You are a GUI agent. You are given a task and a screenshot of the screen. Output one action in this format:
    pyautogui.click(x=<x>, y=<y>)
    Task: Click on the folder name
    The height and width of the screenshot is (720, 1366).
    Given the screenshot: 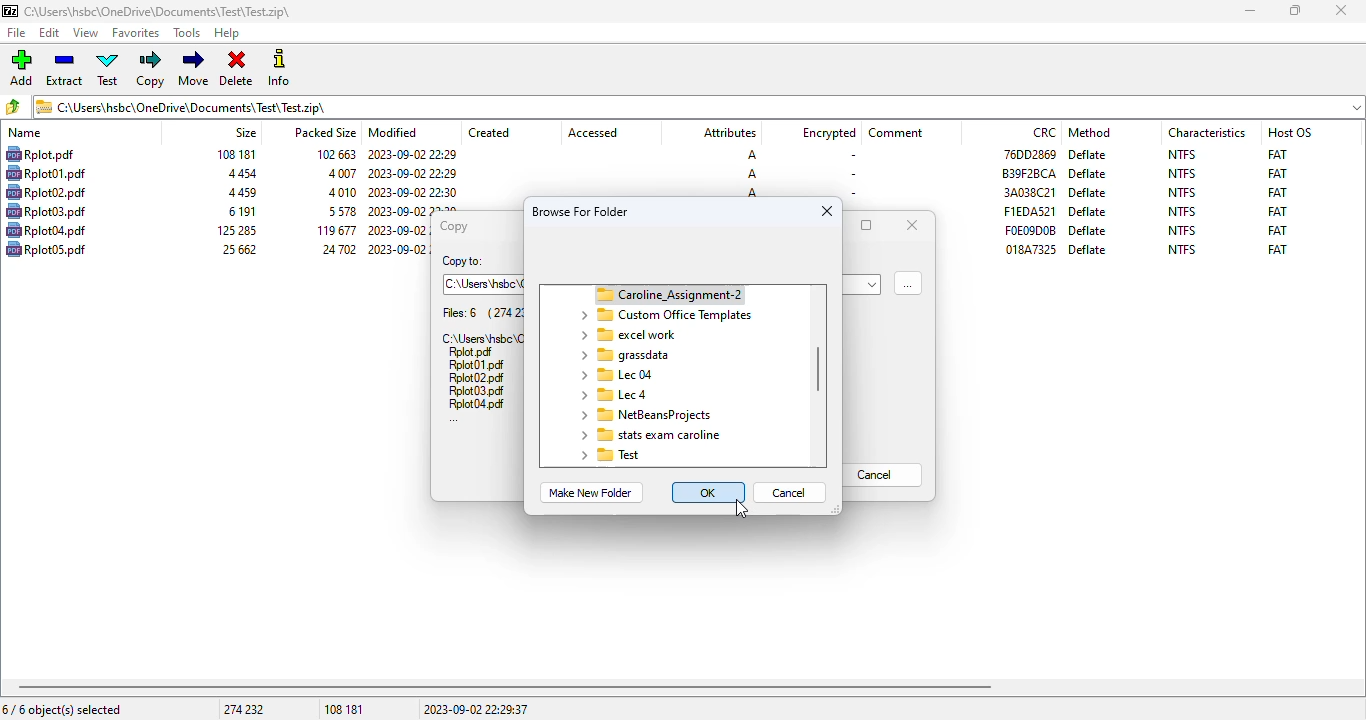 What is the action you would take?
    pyautogui.click(x=623, y=355)
    